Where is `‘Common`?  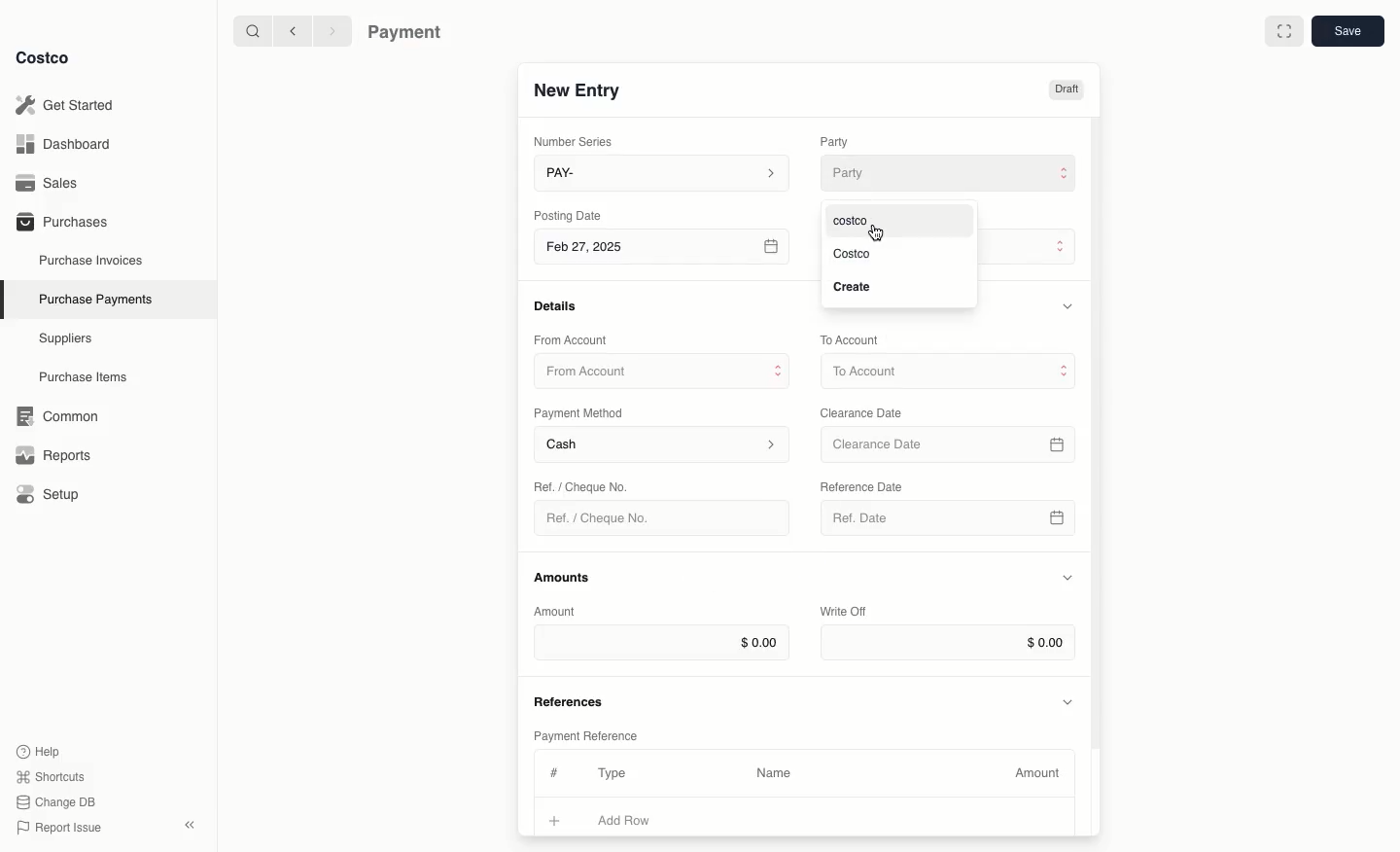 ‘Common is located at coordinates (61, 413).